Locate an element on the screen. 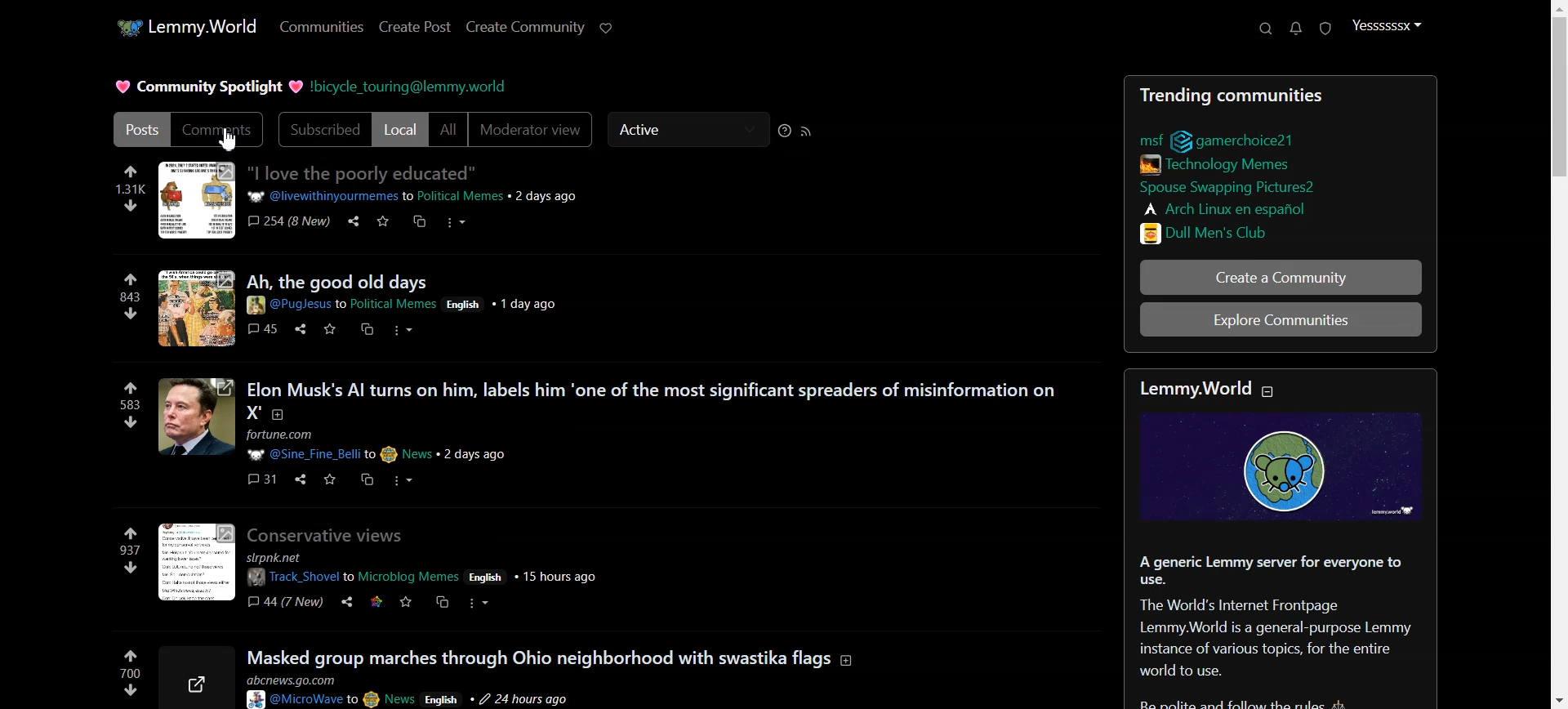  Create Community is located at coordinates (525, 27).